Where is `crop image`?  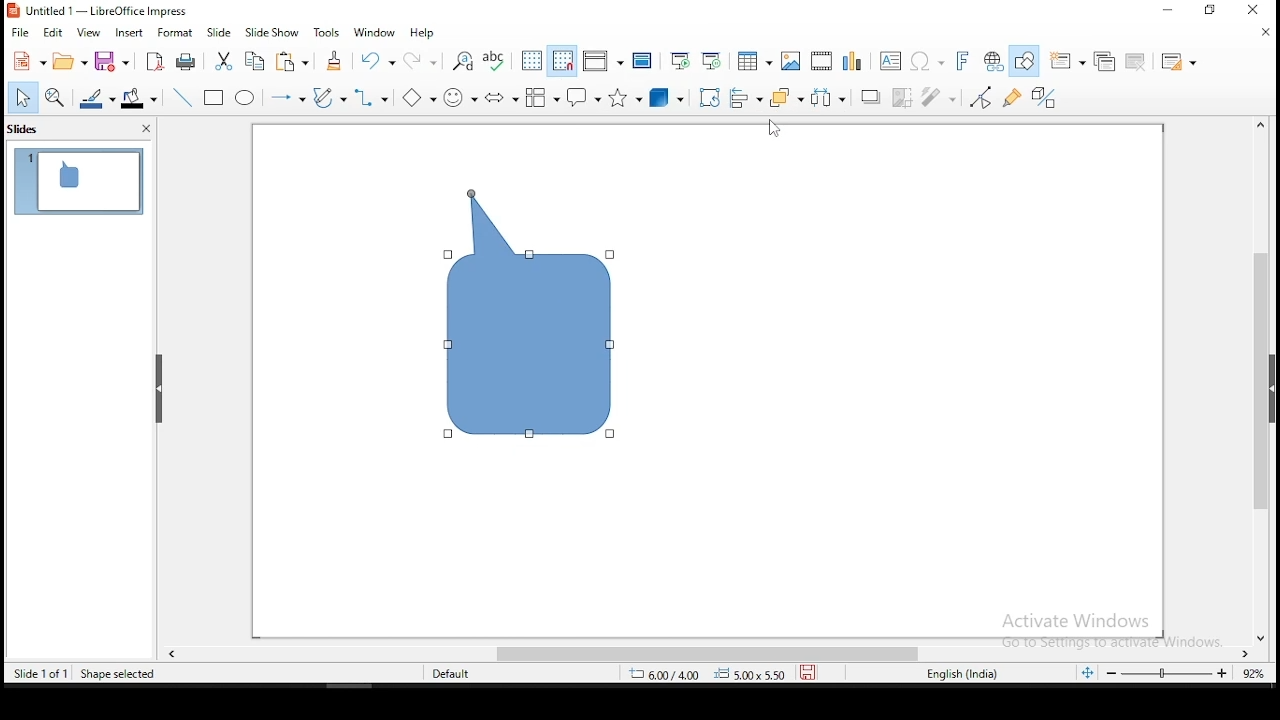 crop image is located at coordinates (902, 97).